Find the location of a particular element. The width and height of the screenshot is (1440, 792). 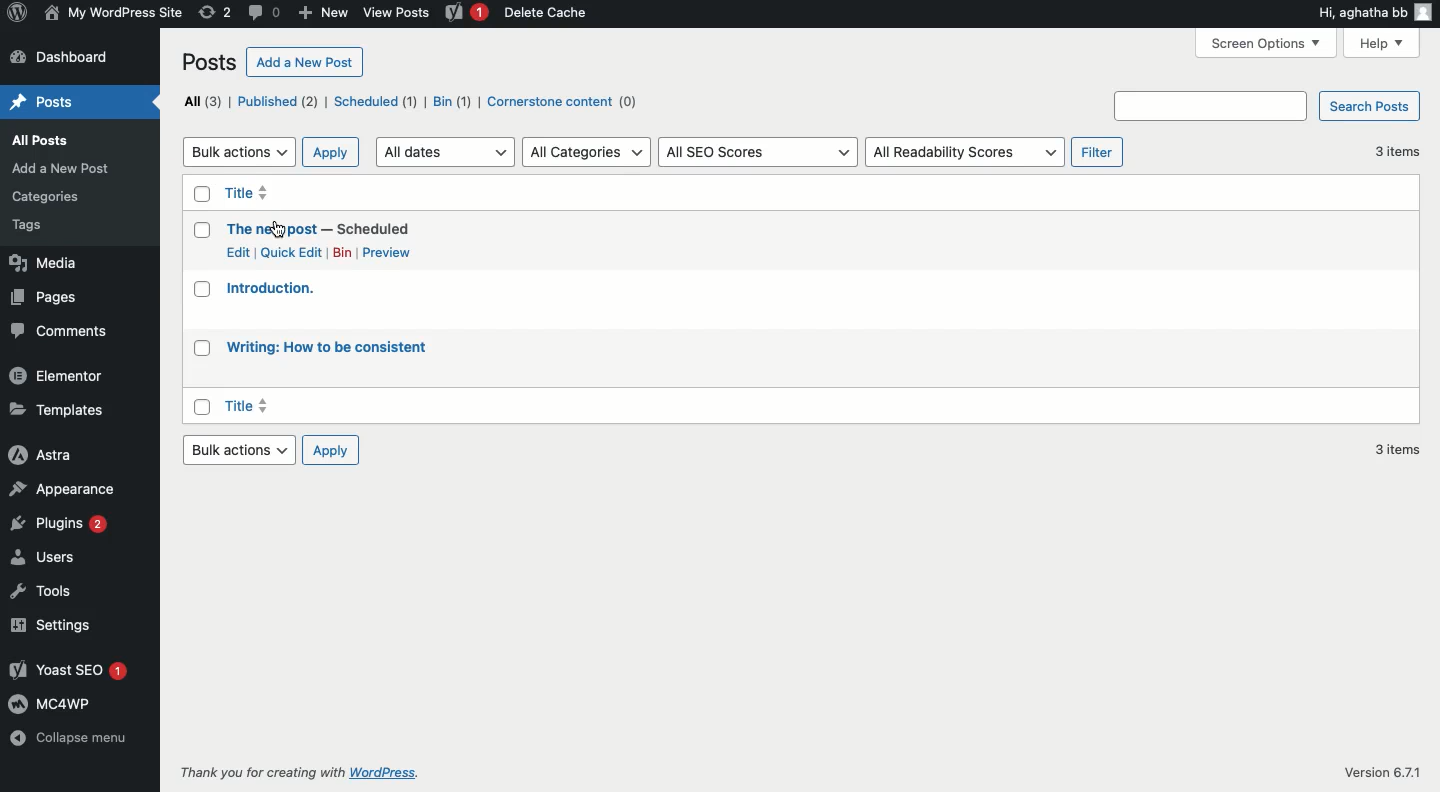

Bulk actions is located at coordinates (239, 450).